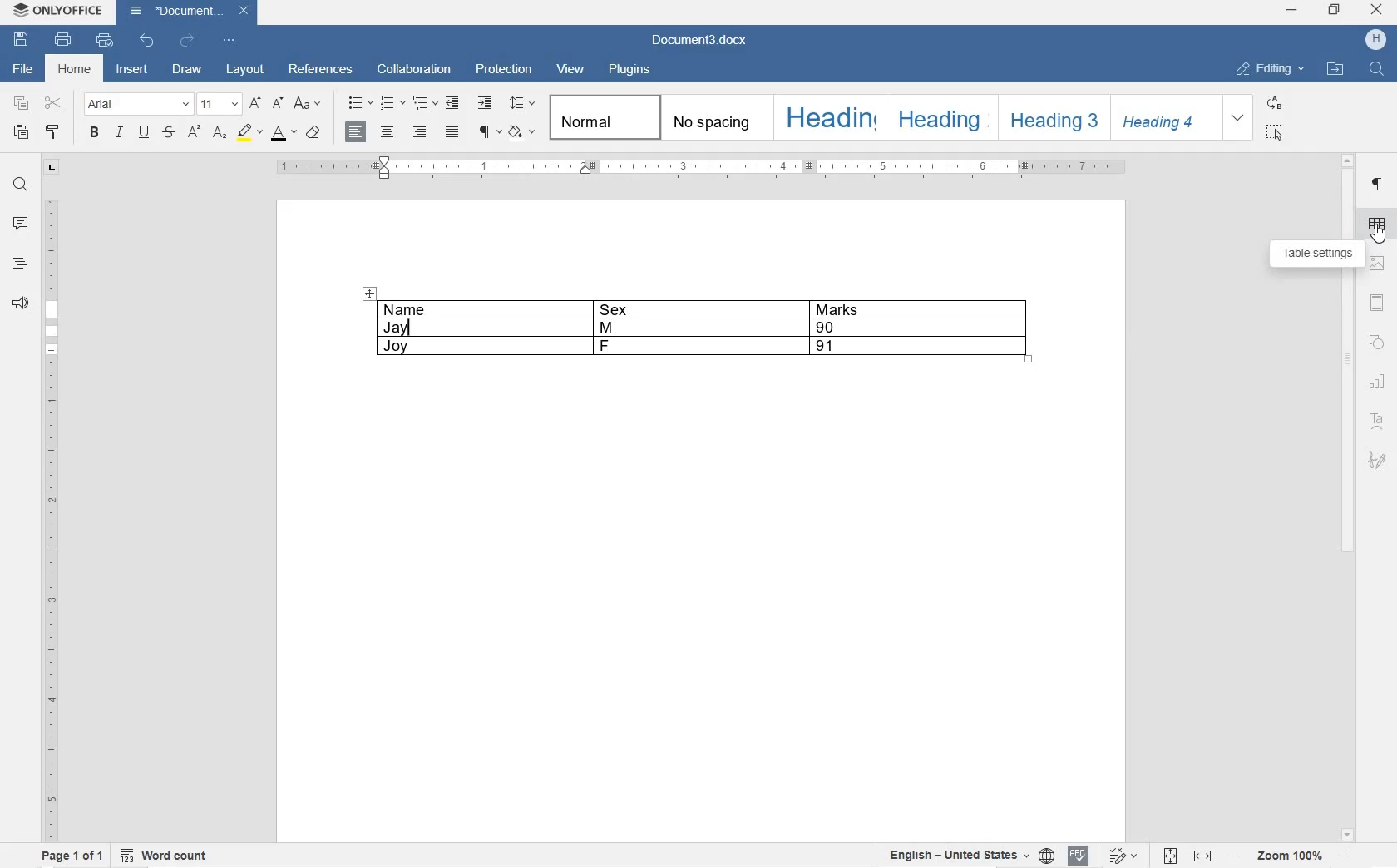 The image size is (1397, 868). What do you see at coordinates (1314, 254) in the screenshot?
I see `TABLE SETTINGS` at bounding box center [1314, 254].